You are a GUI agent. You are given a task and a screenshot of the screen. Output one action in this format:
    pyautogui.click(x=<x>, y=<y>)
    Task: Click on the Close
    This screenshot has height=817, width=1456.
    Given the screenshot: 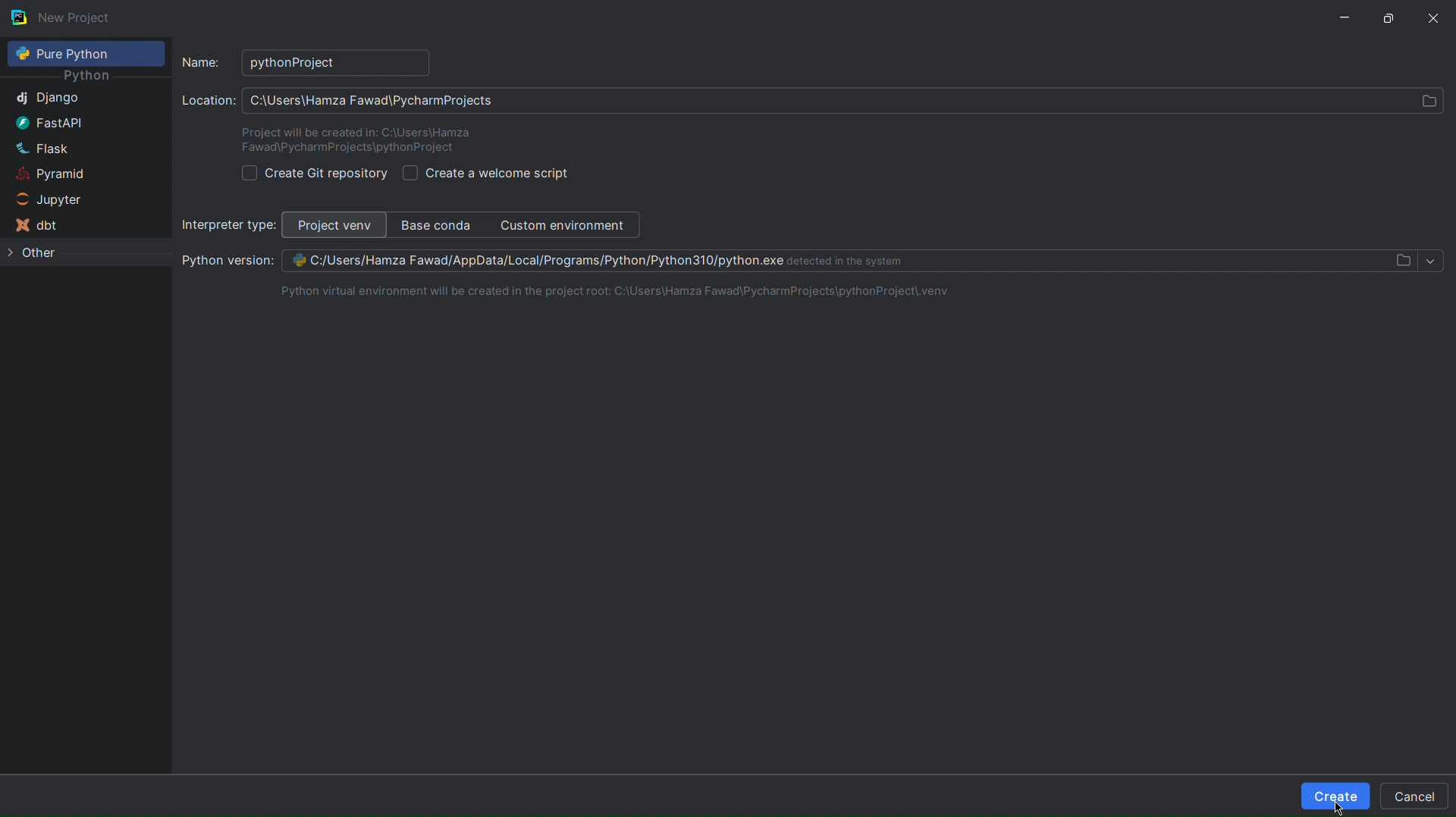 What is the action you would take?
    pyautogui.click(x=1435, y=17)
    